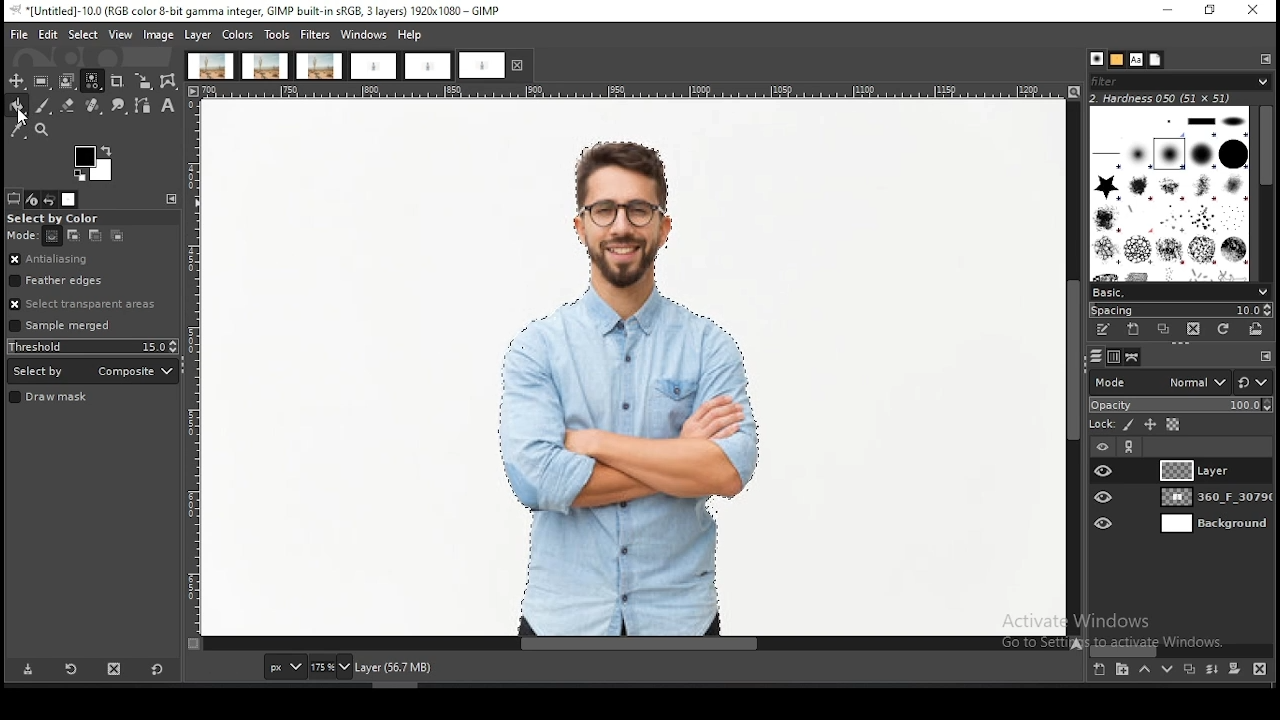 The width and height of the screenshot is (1280, 720). Describe the element at coordinates (1156, 59) in the screenshot. I see `document history` at that location.